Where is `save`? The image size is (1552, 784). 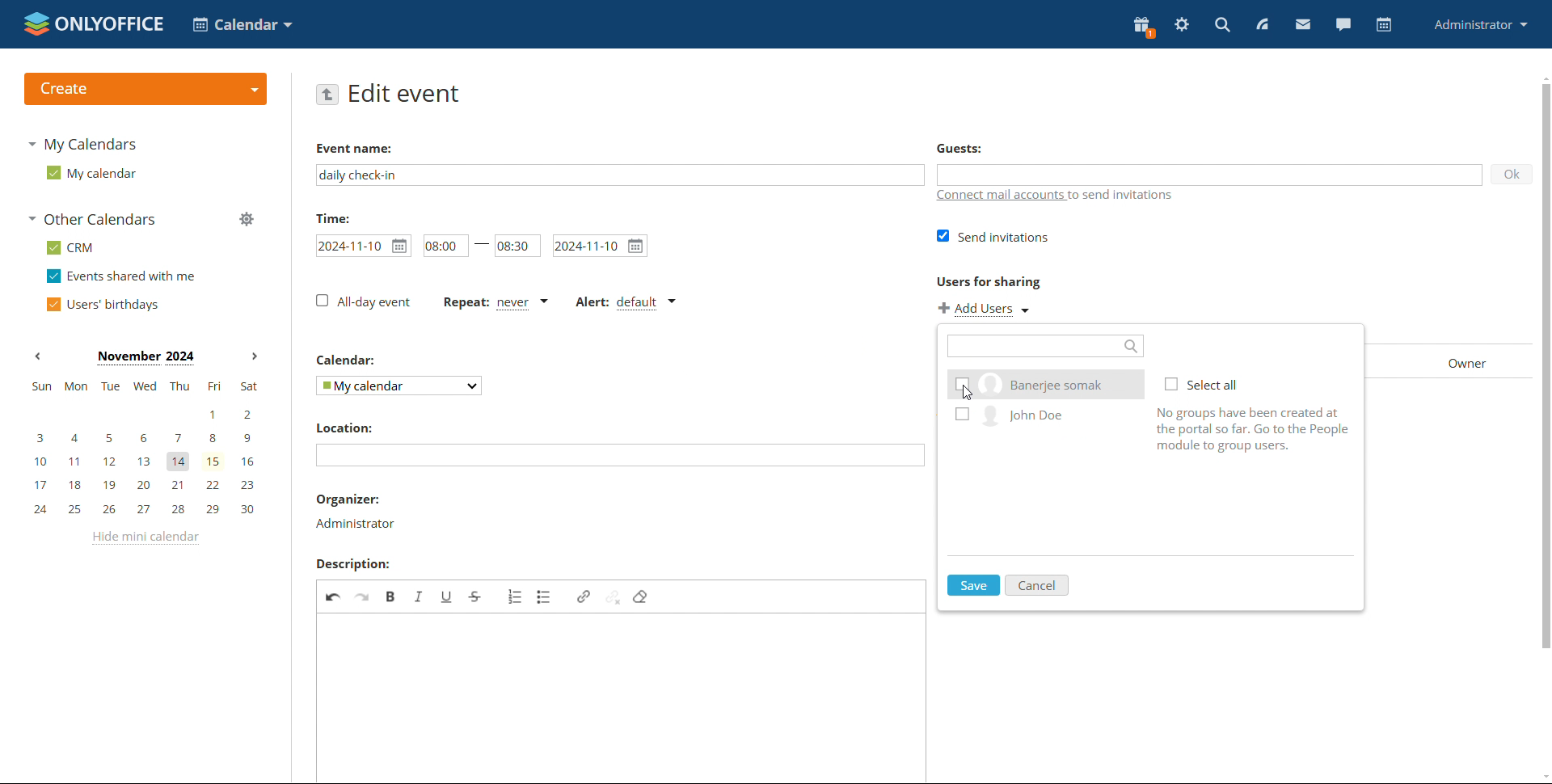
save is located at coordinates (975, 584).